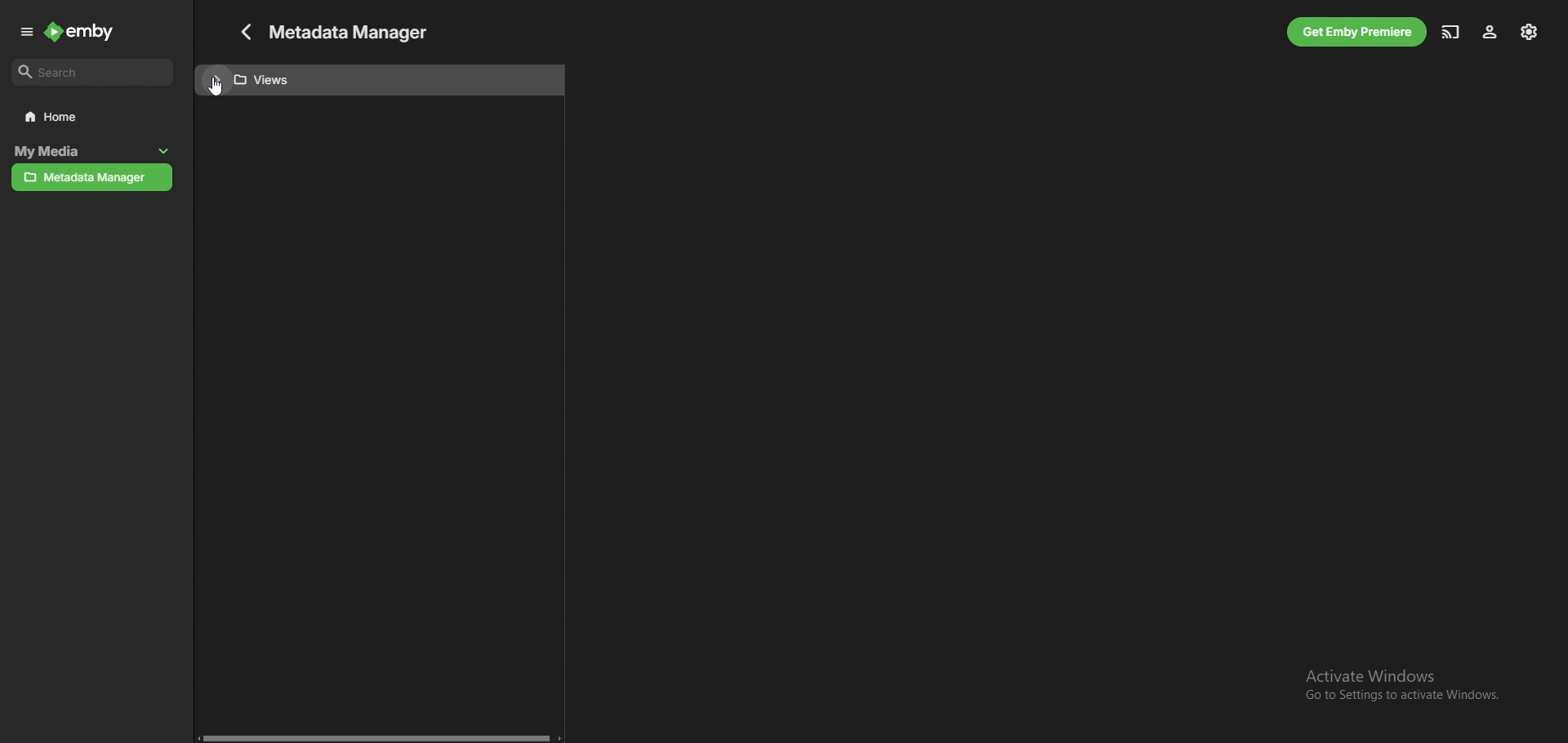 Image resolution: width=1568 pixels, height=743 pixels. I want to click on home, so click(93, 117).